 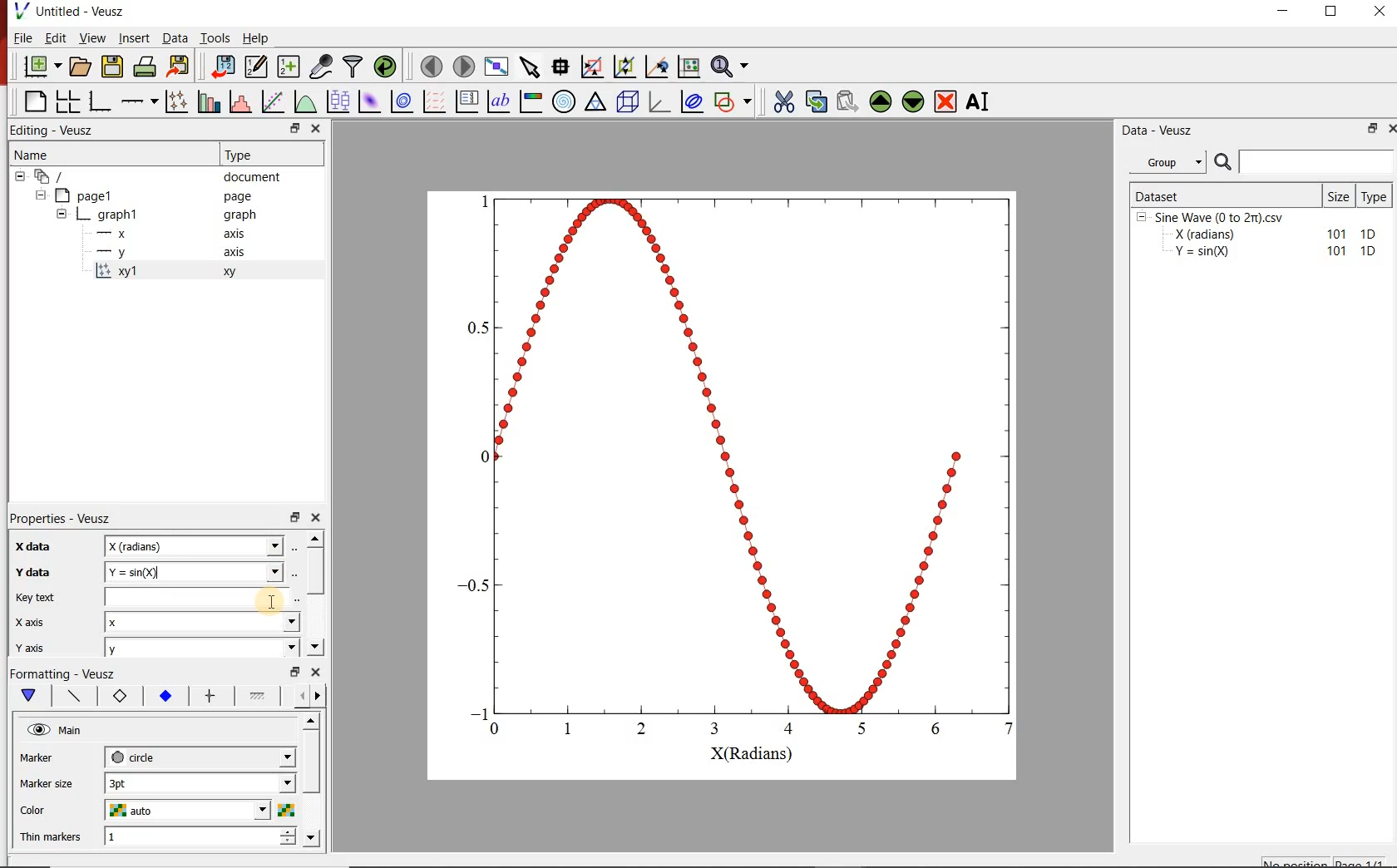 What do you see at coordinates (1381, 11) in the screenshot?
I see `Close` at bounding box center [1381, 11].